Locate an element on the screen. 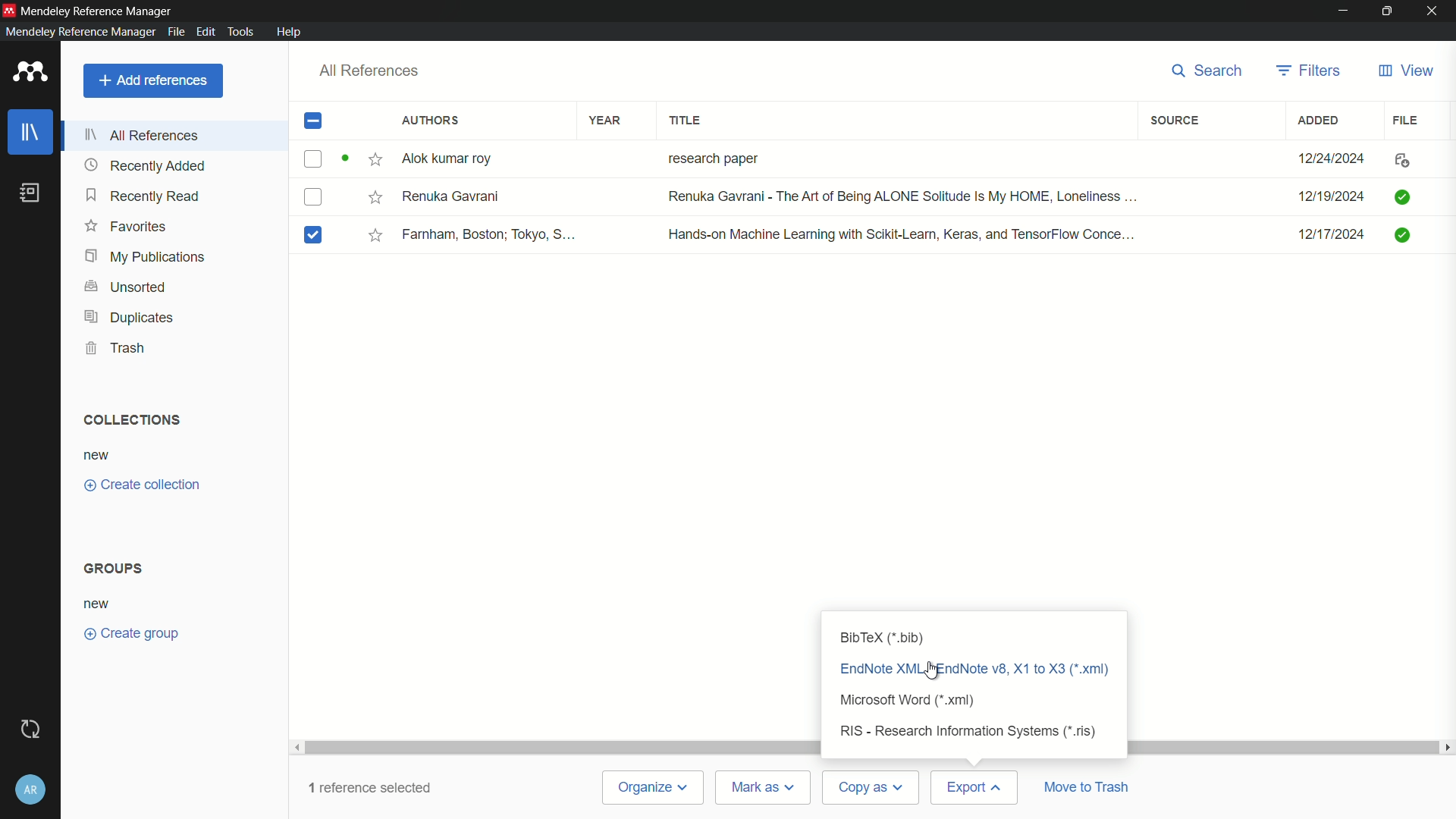 The width and height of the screenshot is (1456, 819). checked checkbox is located at coordinates (312, 235).